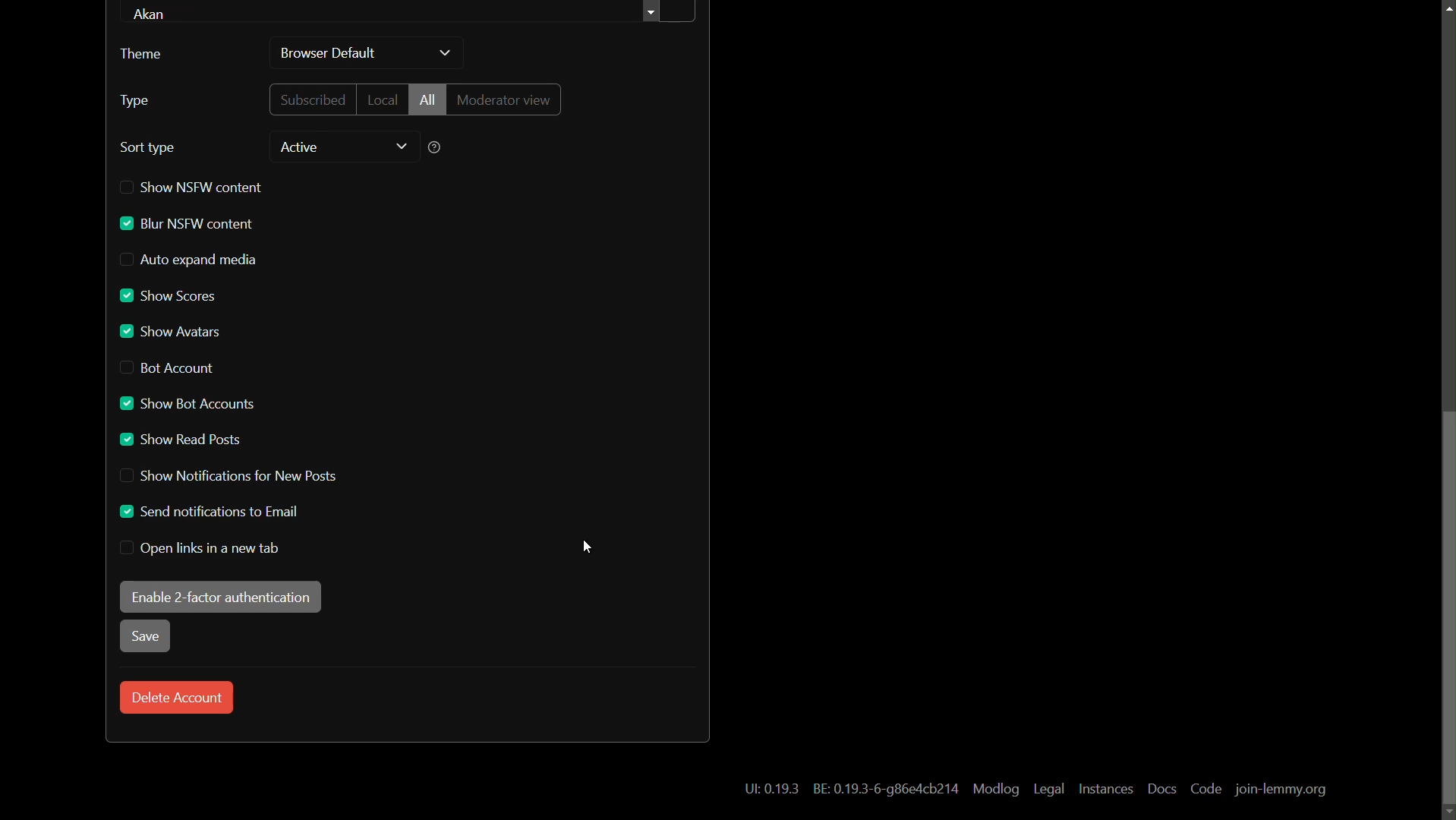  What do you see at coordinates (211, 512) in the screenshot?
I see `send notifications to email` at bounding box center [211, 512].